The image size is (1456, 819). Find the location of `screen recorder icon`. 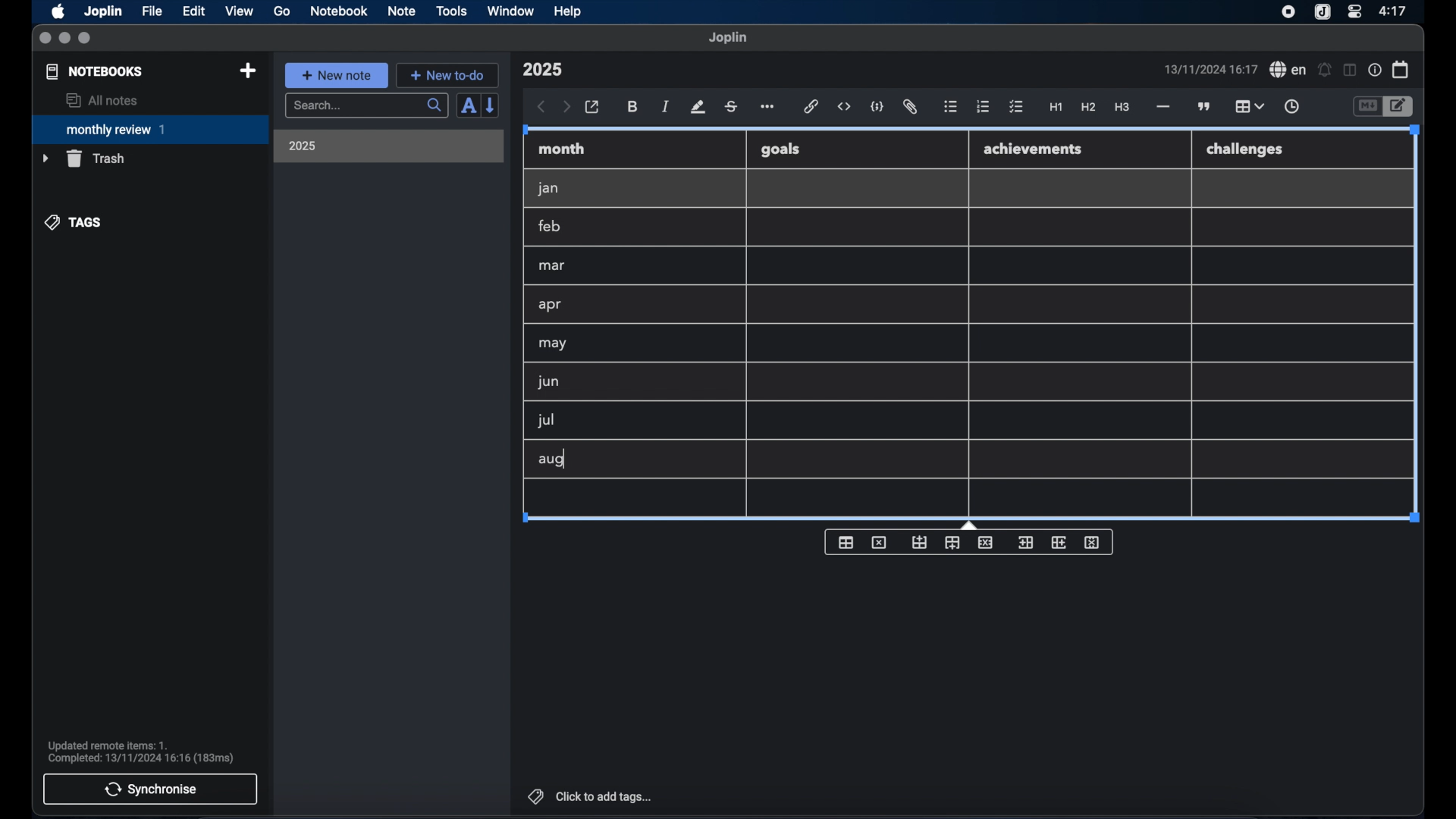

screen recorder icon is located at coordinates (1288, 12).